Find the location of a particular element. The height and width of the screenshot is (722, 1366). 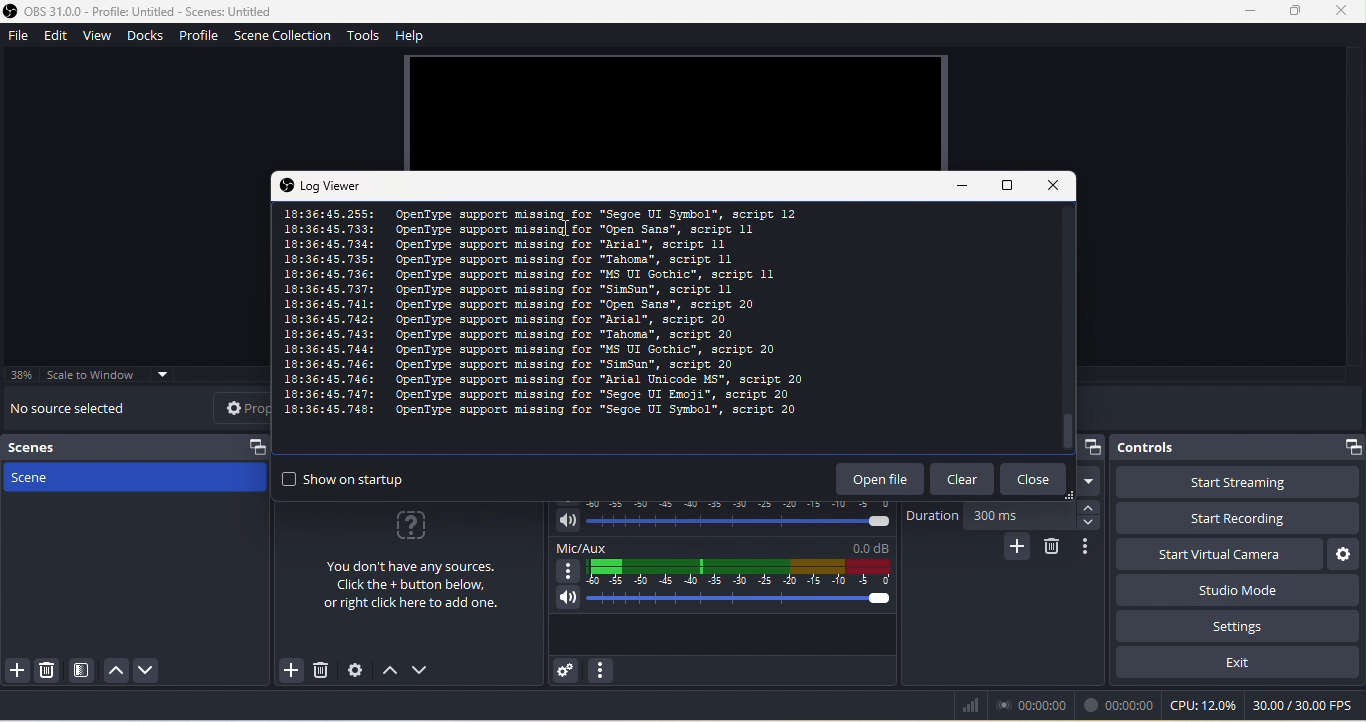

mic is located at coordinates (722, 563).